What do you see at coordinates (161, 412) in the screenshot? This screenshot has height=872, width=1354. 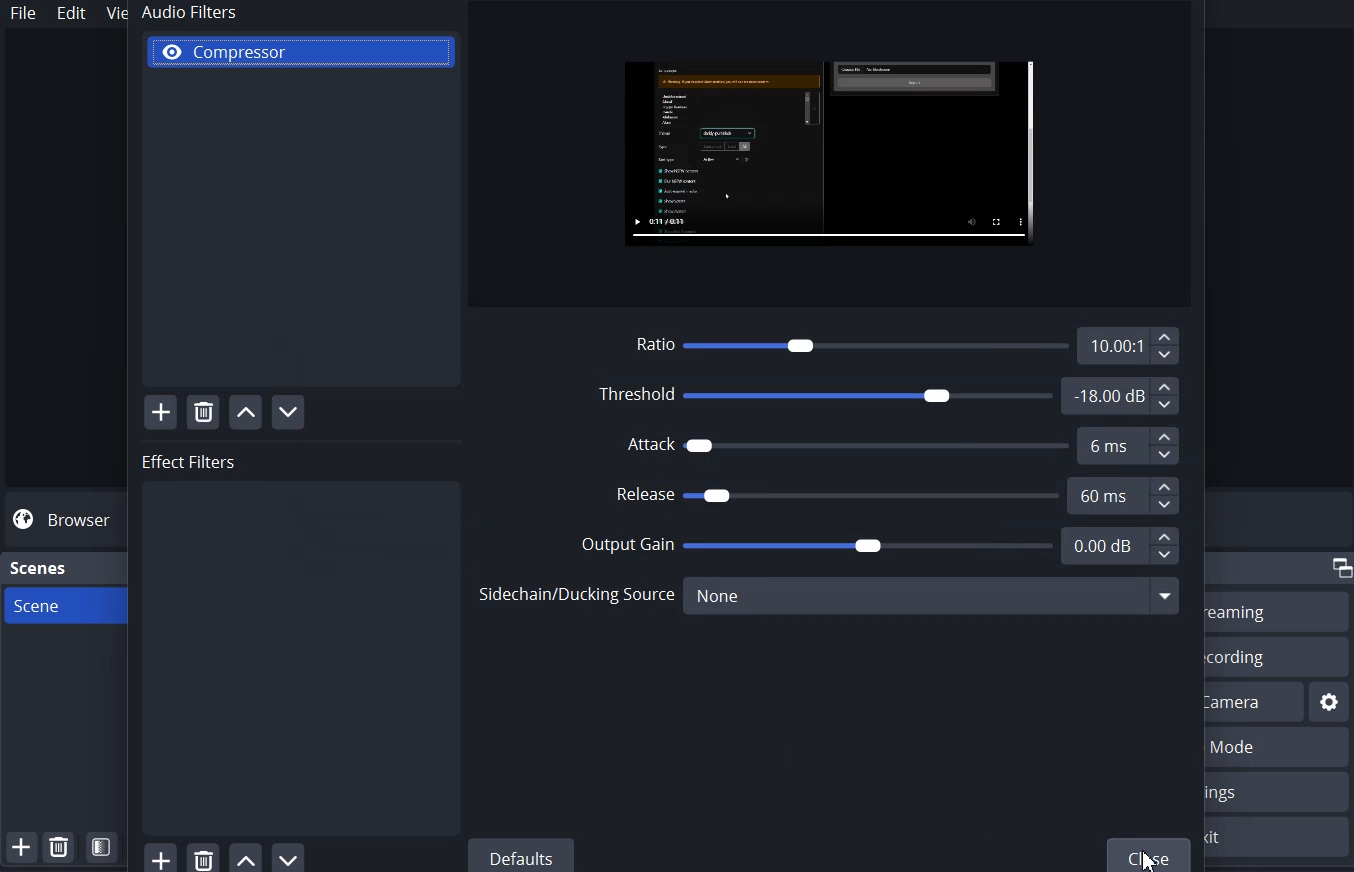 I see `Add Filter` at bounding box center [161, 412].